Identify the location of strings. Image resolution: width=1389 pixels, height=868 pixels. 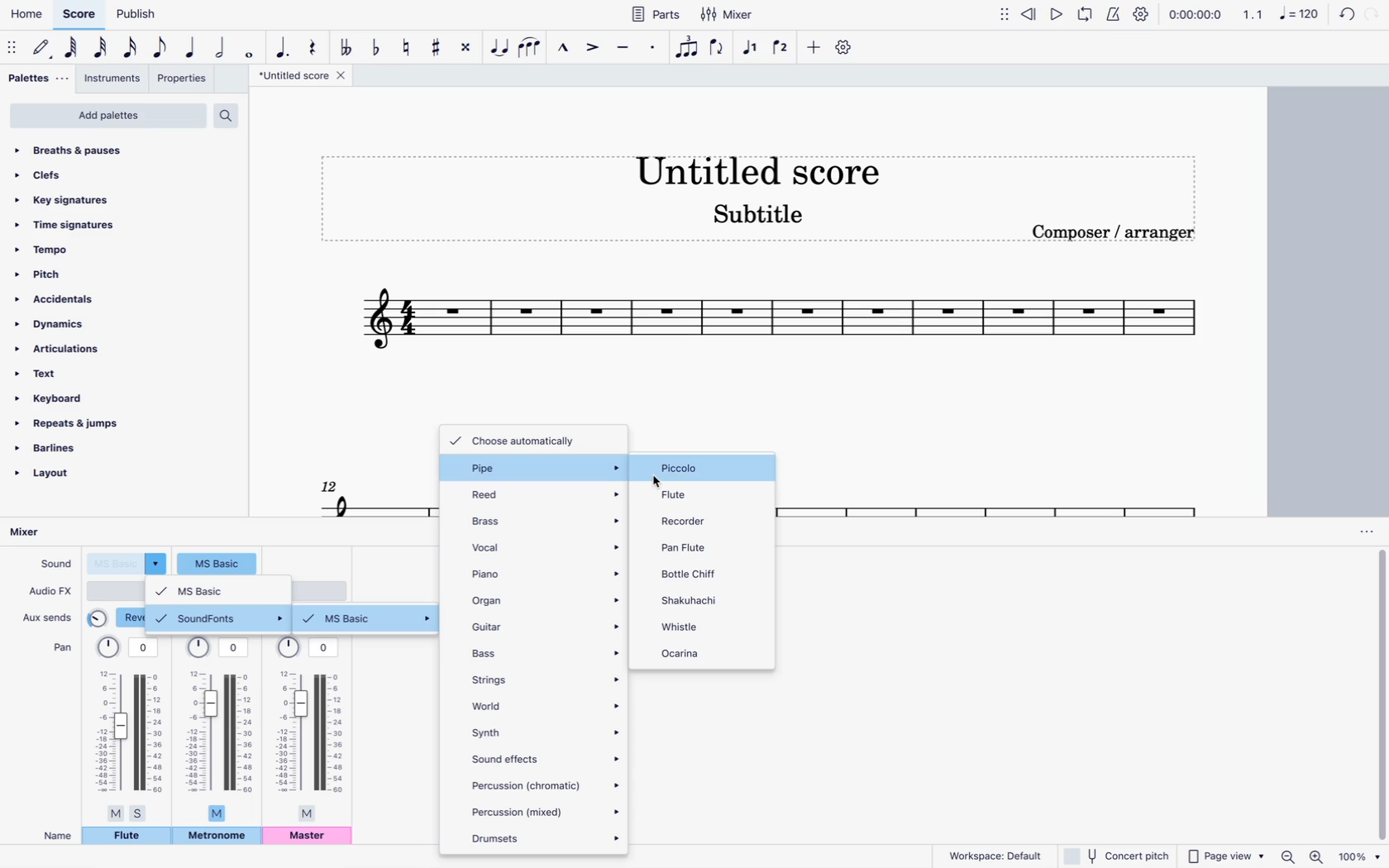
(544, 678).